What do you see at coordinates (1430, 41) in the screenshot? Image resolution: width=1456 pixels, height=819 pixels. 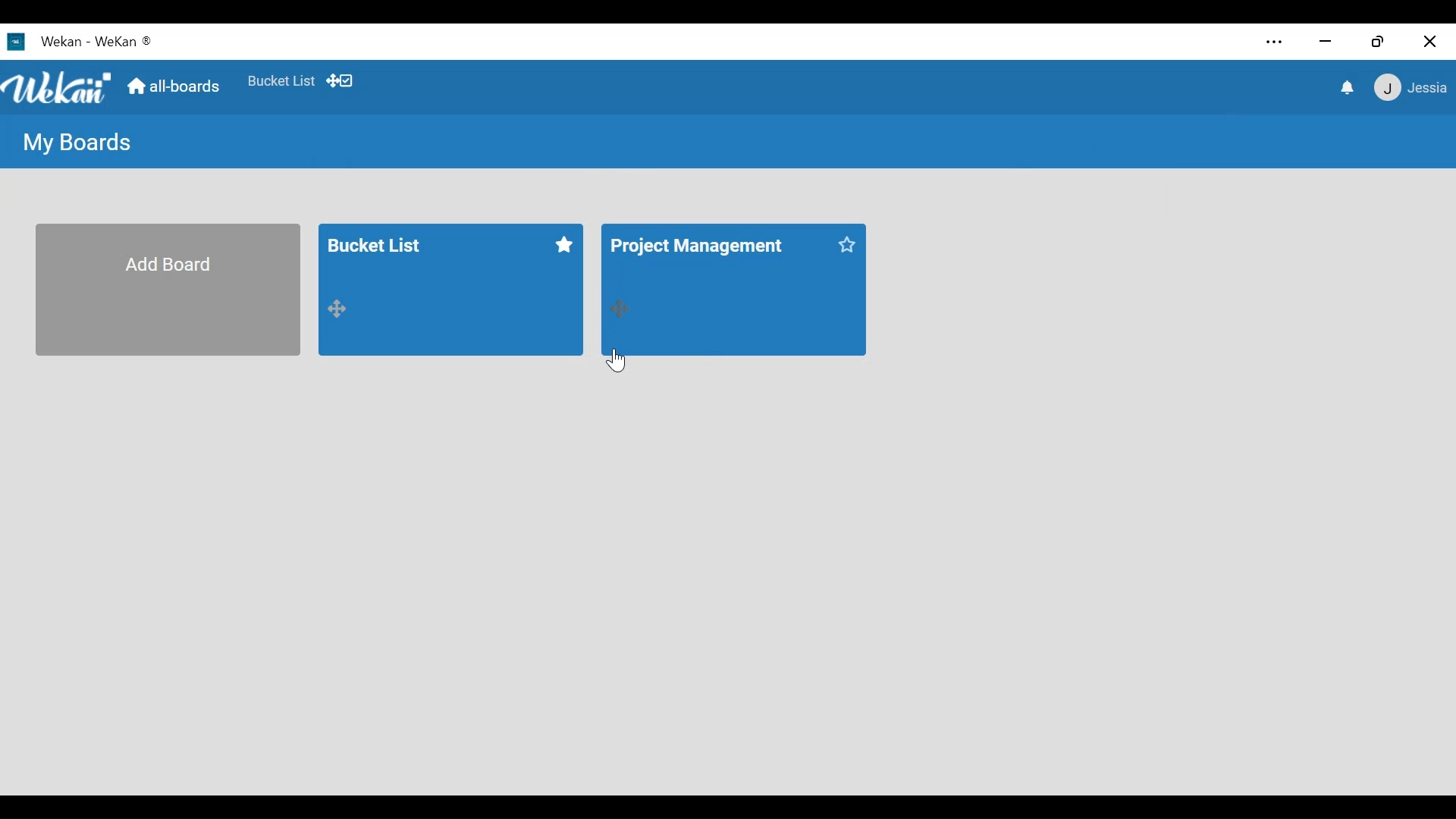 I see `Close` at bounding box center [1430, 41].